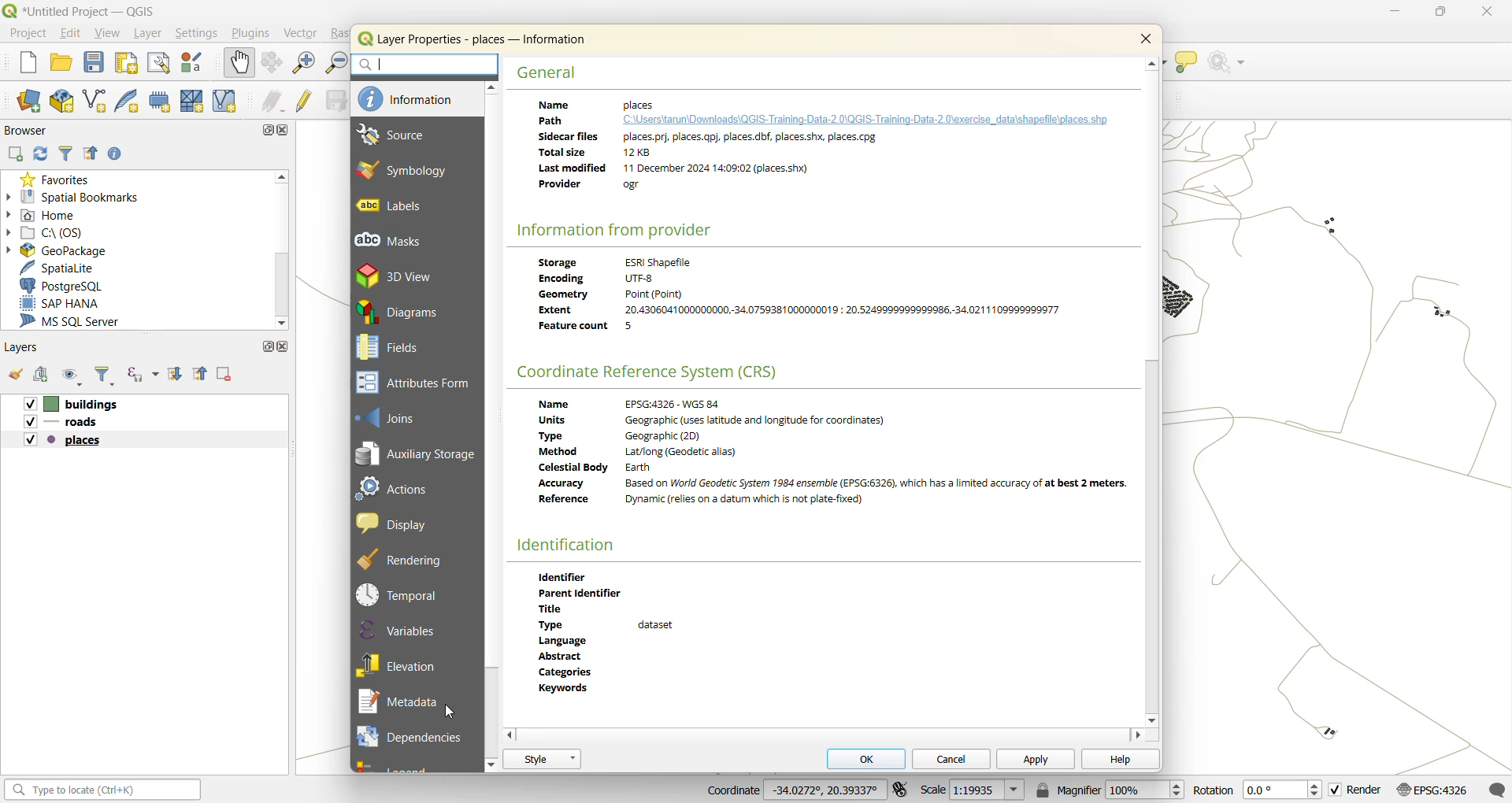 The height and width of the screenshot is (803, 1512). Describe the element at coordinates (14, 154) in the screenshot. I see `add` at that location.